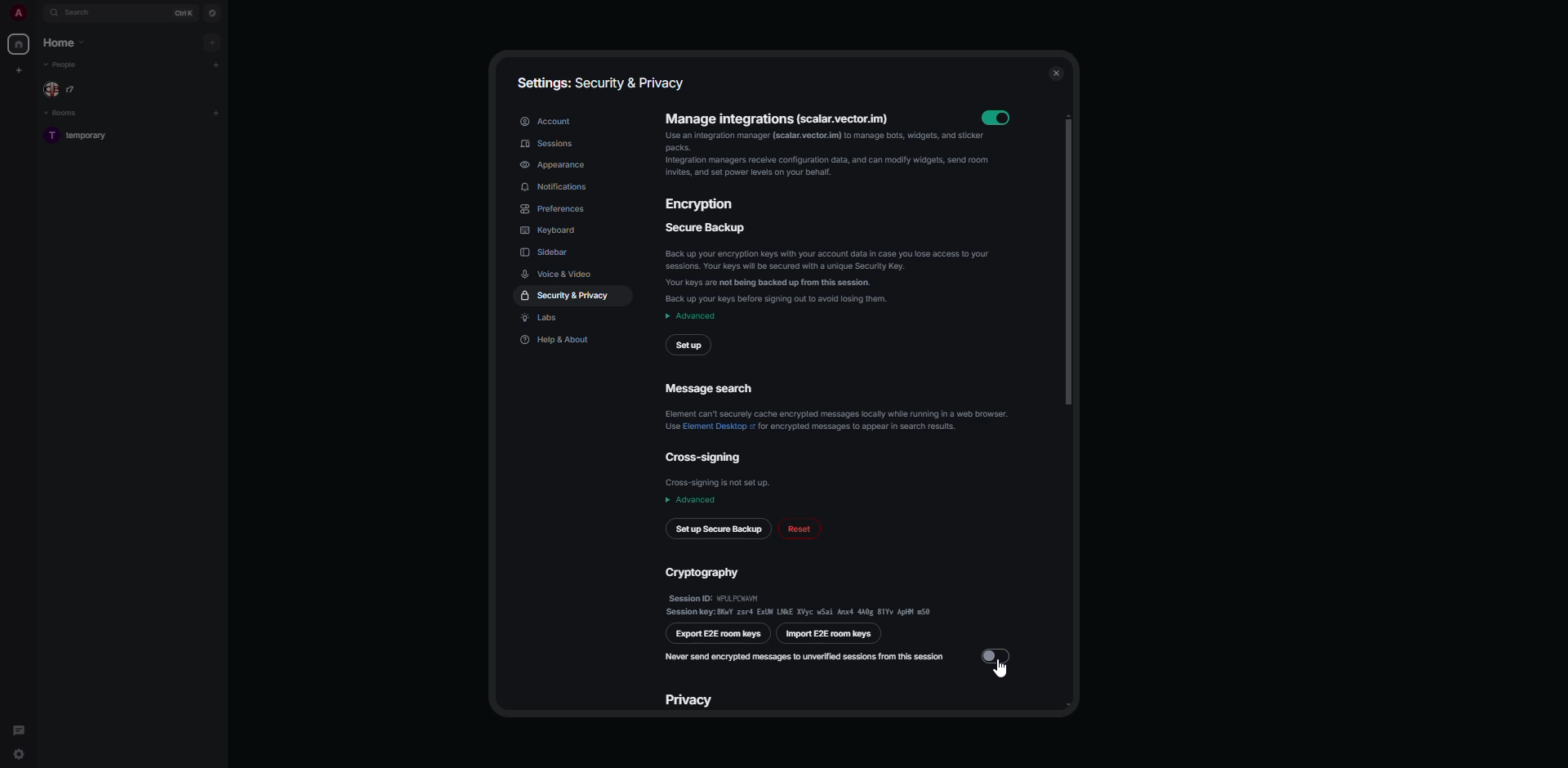 The height and width of the screenshot is (768, 1568). Describe the element at coordinates (691, 316) in the screenshot. I see `advanced` at that location.